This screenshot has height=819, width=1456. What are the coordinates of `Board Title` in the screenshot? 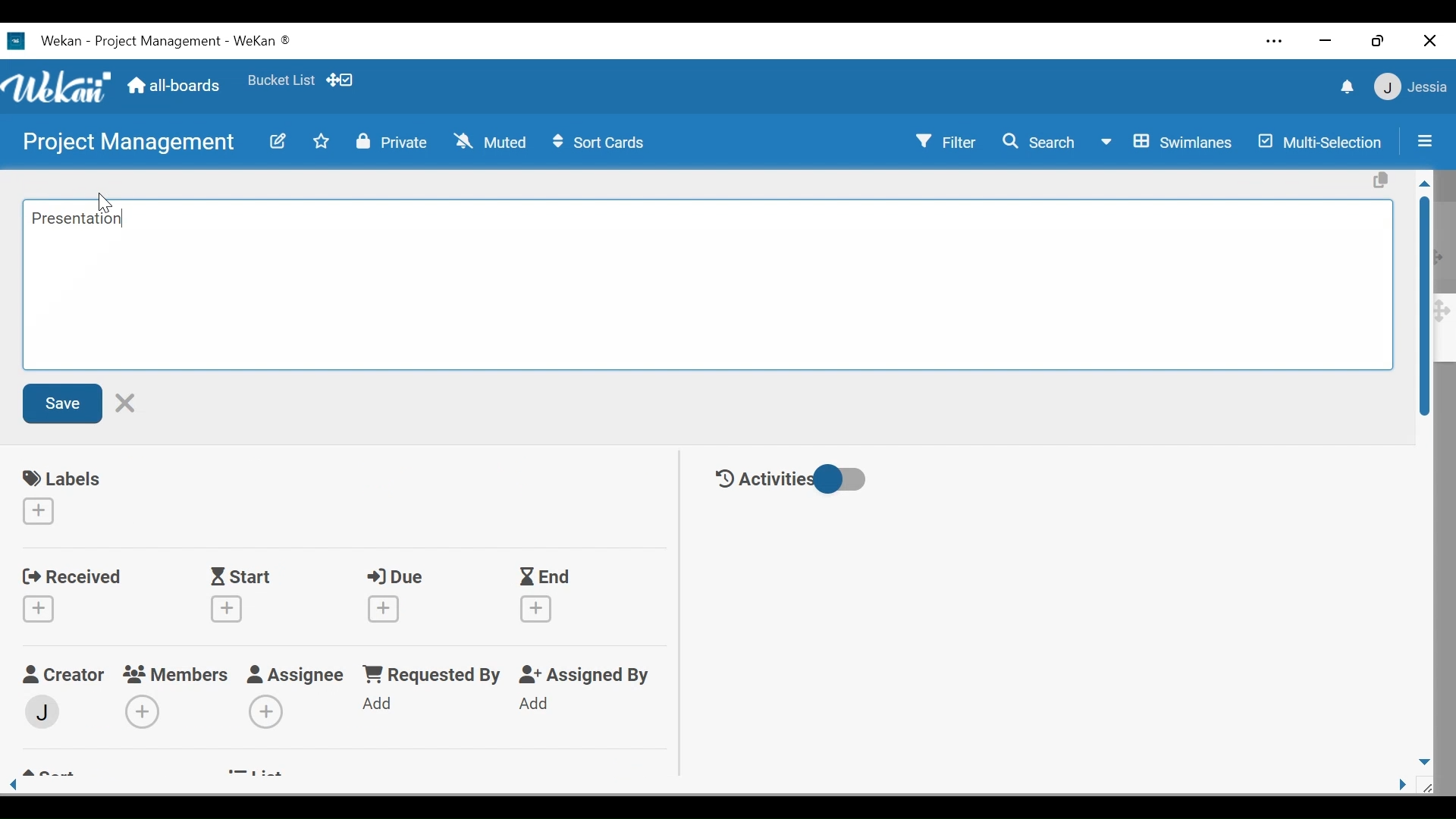 It's located at (129, 145).